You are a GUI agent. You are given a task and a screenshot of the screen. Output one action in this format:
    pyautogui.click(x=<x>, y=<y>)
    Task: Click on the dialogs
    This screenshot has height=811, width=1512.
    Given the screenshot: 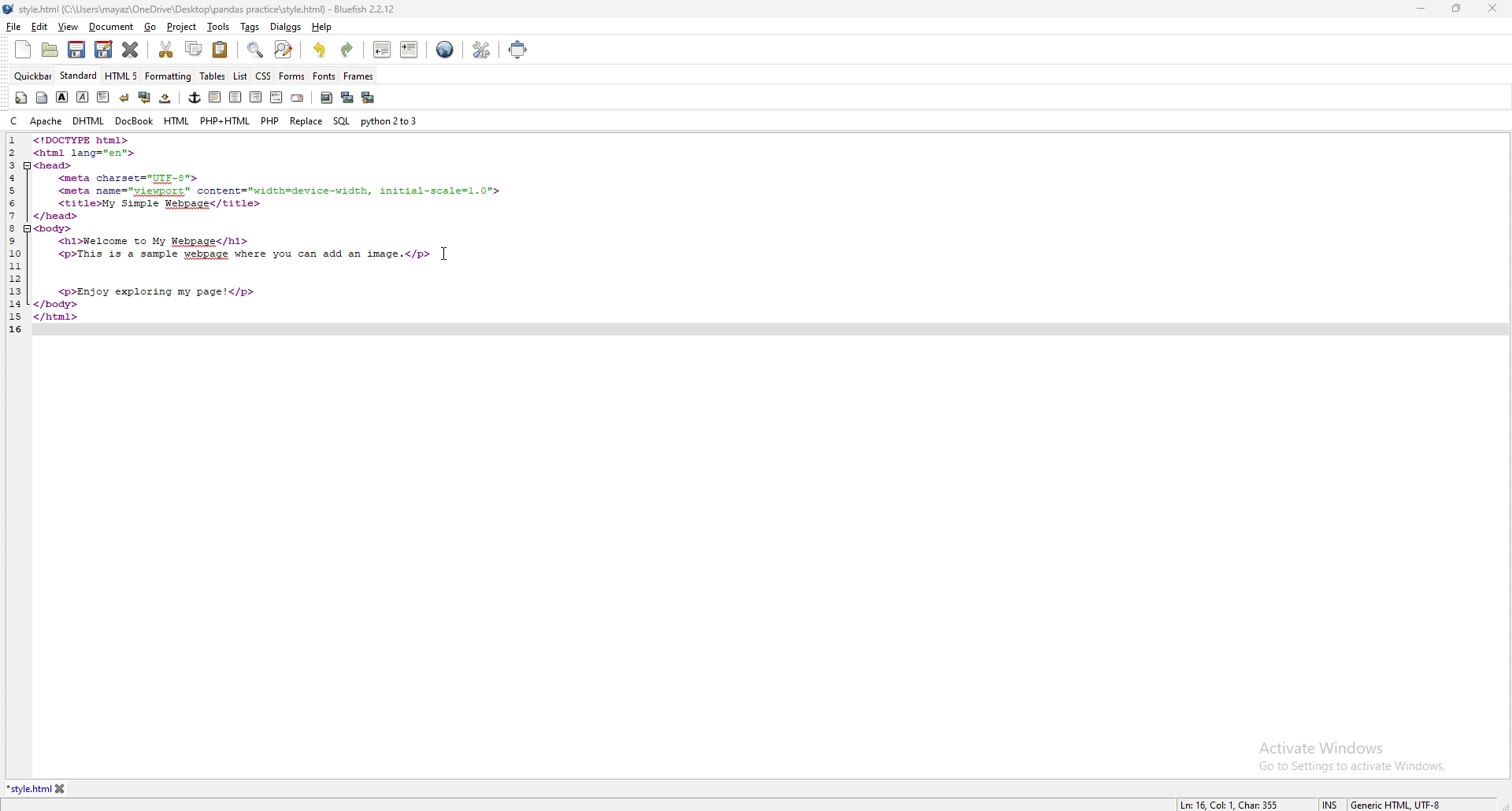 What is the action you would take?
    pyautogui.click(x=286, y=27)
    